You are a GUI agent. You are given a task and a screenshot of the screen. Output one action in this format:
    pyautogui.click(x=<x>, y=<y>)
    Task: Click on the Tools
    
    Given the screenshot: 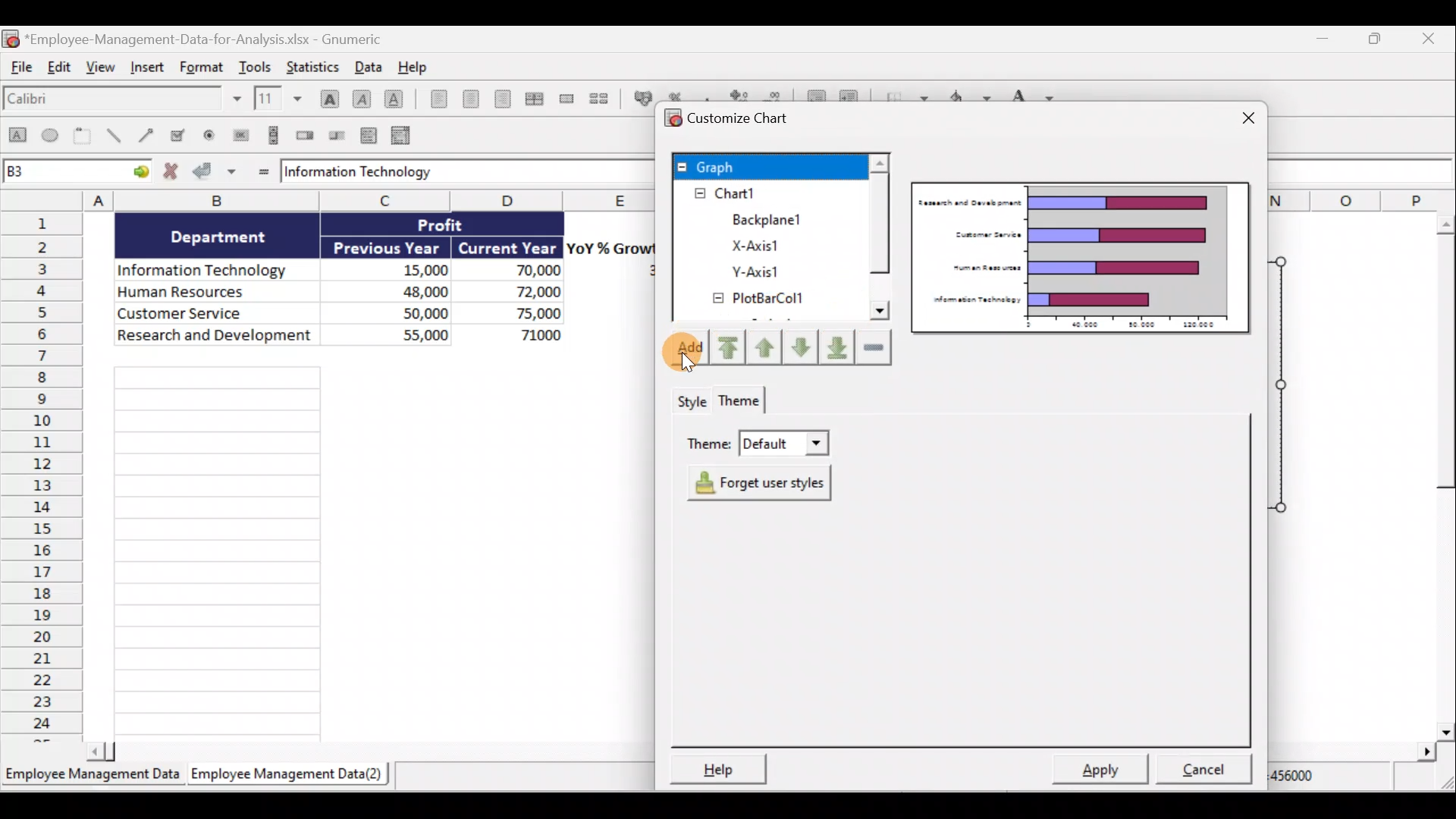 What is the action you would take?
    pyautogui.click(x=258, y=65)
    